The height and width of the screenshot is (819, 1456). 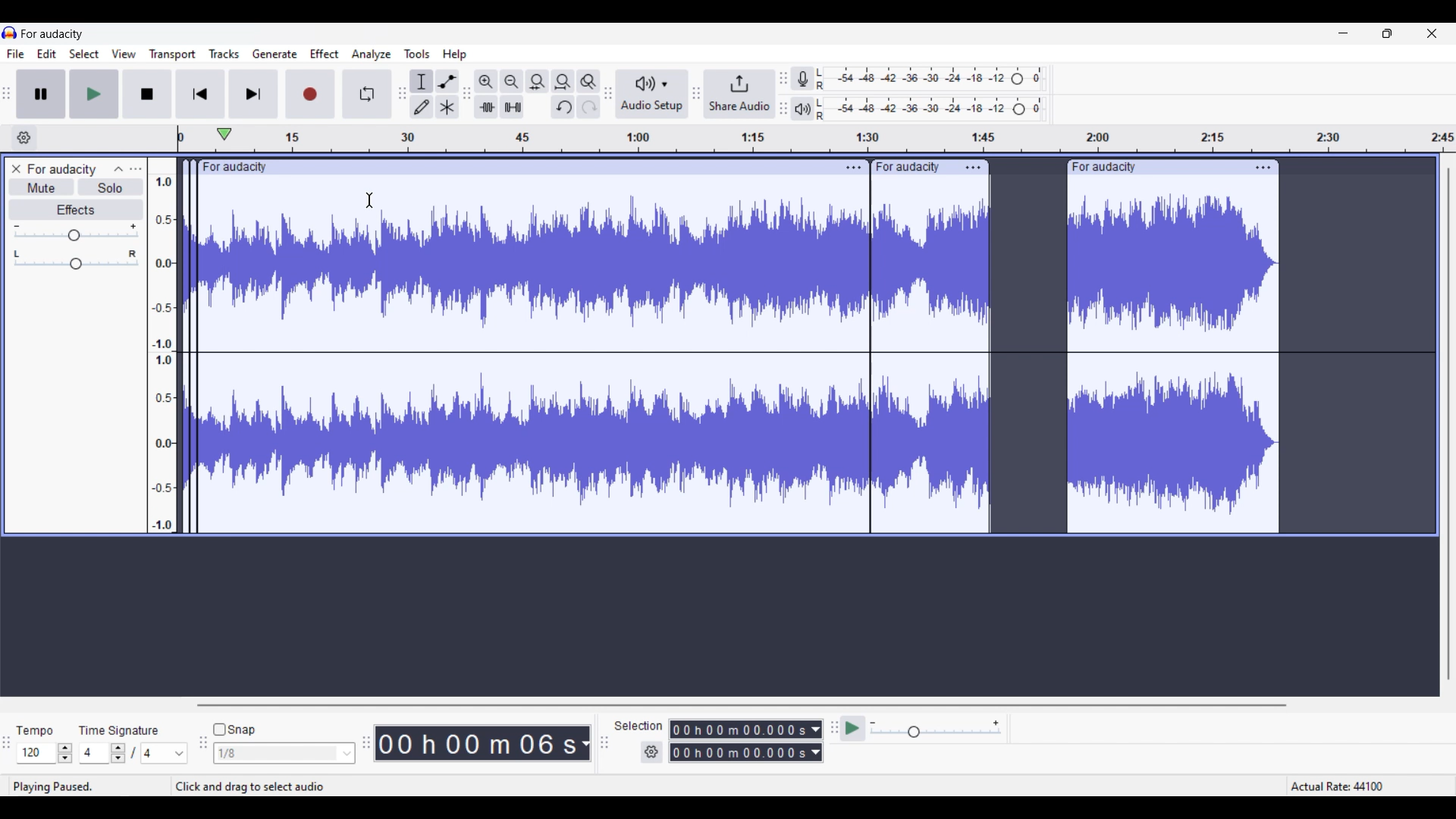 What do you see at coordinates (738, 94) in the screenshot?
I see `Share audio` at bounding box center [738, 94].